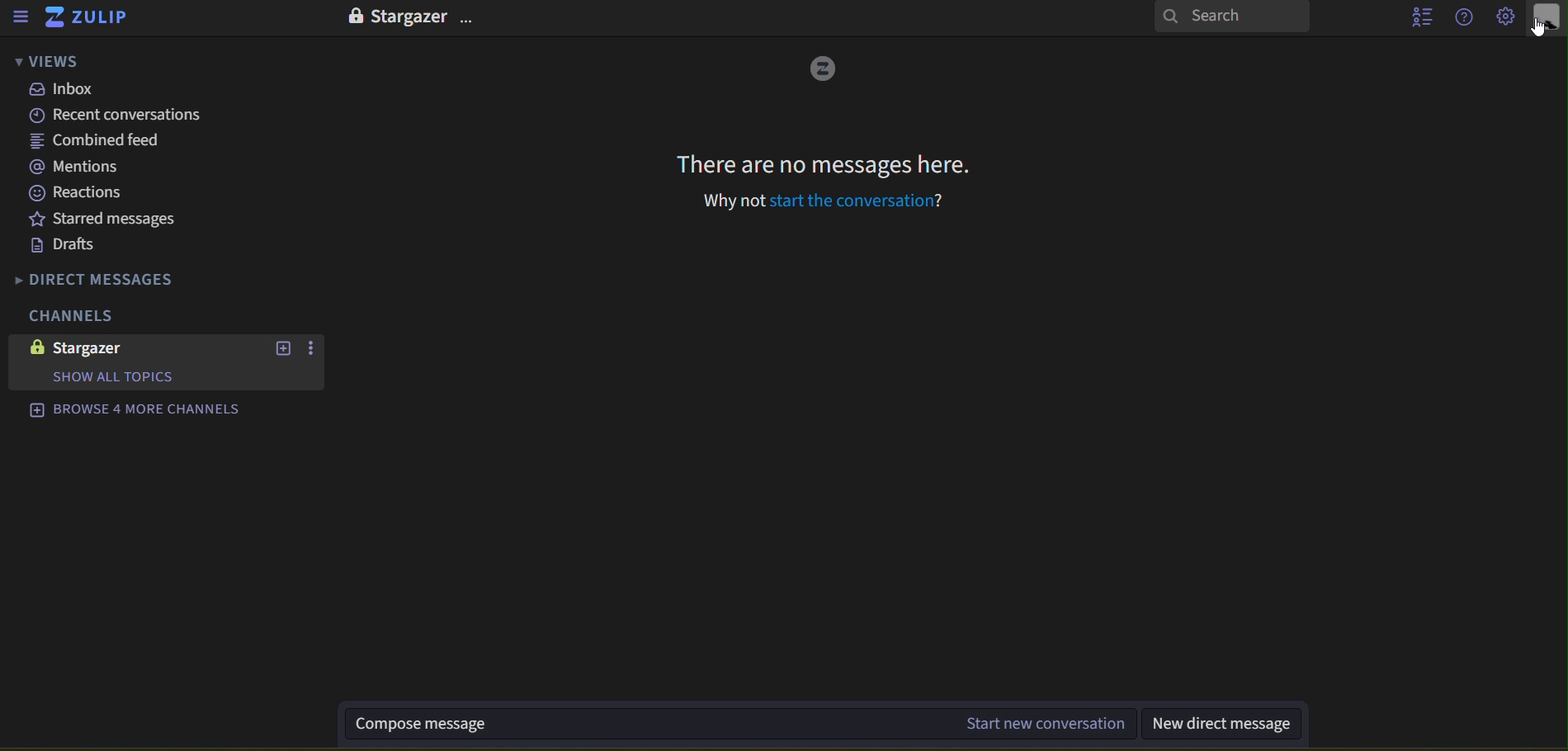 Image resolution: width=1568 pixels, height=751 pixels. What do you see at coordinates (20, 17) in the screenshot?
I see `sidebar` at bounding box center [20, 17].